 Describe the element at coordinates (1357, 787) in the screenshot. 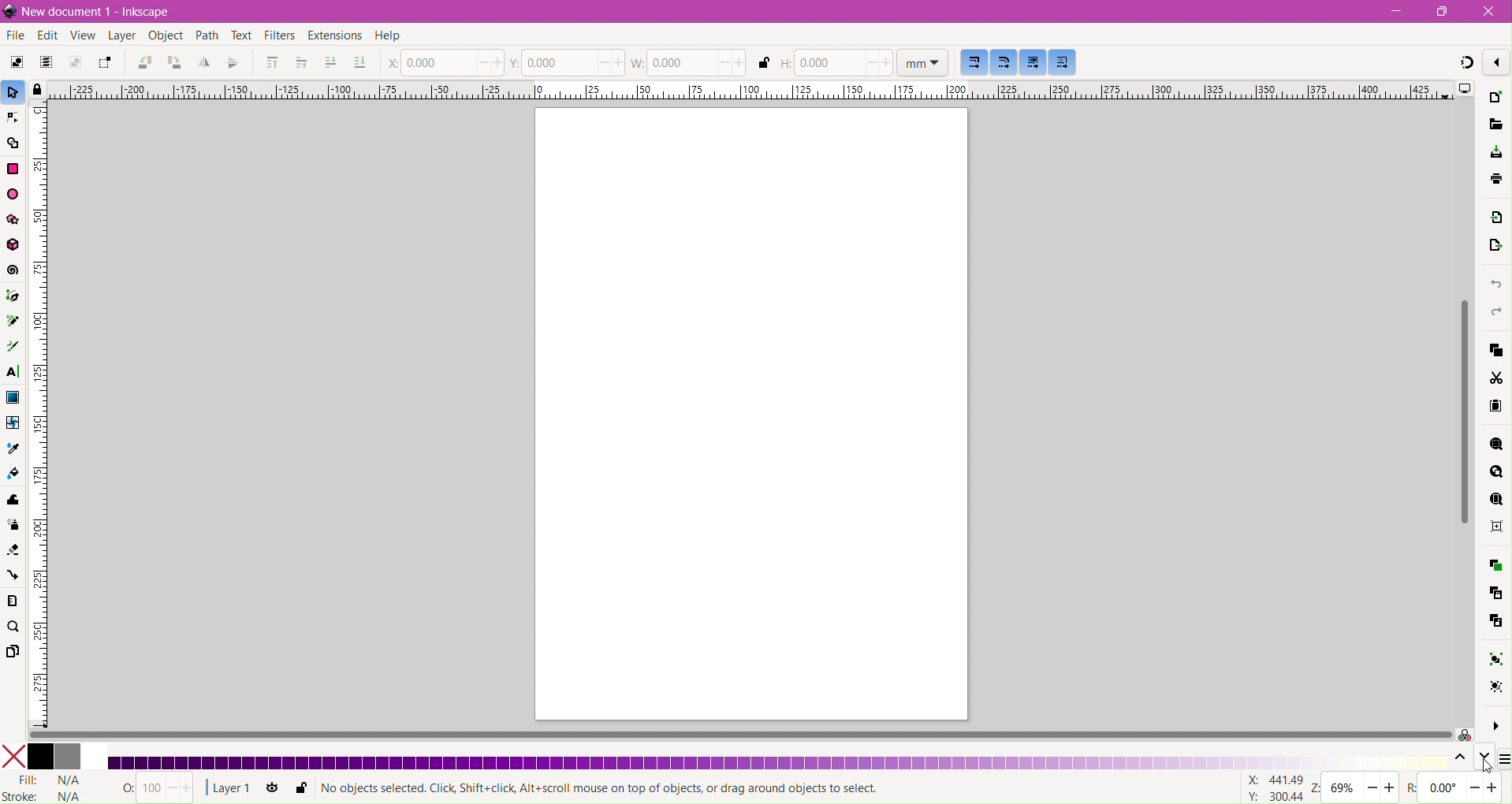

I see `Zoom` at that location.